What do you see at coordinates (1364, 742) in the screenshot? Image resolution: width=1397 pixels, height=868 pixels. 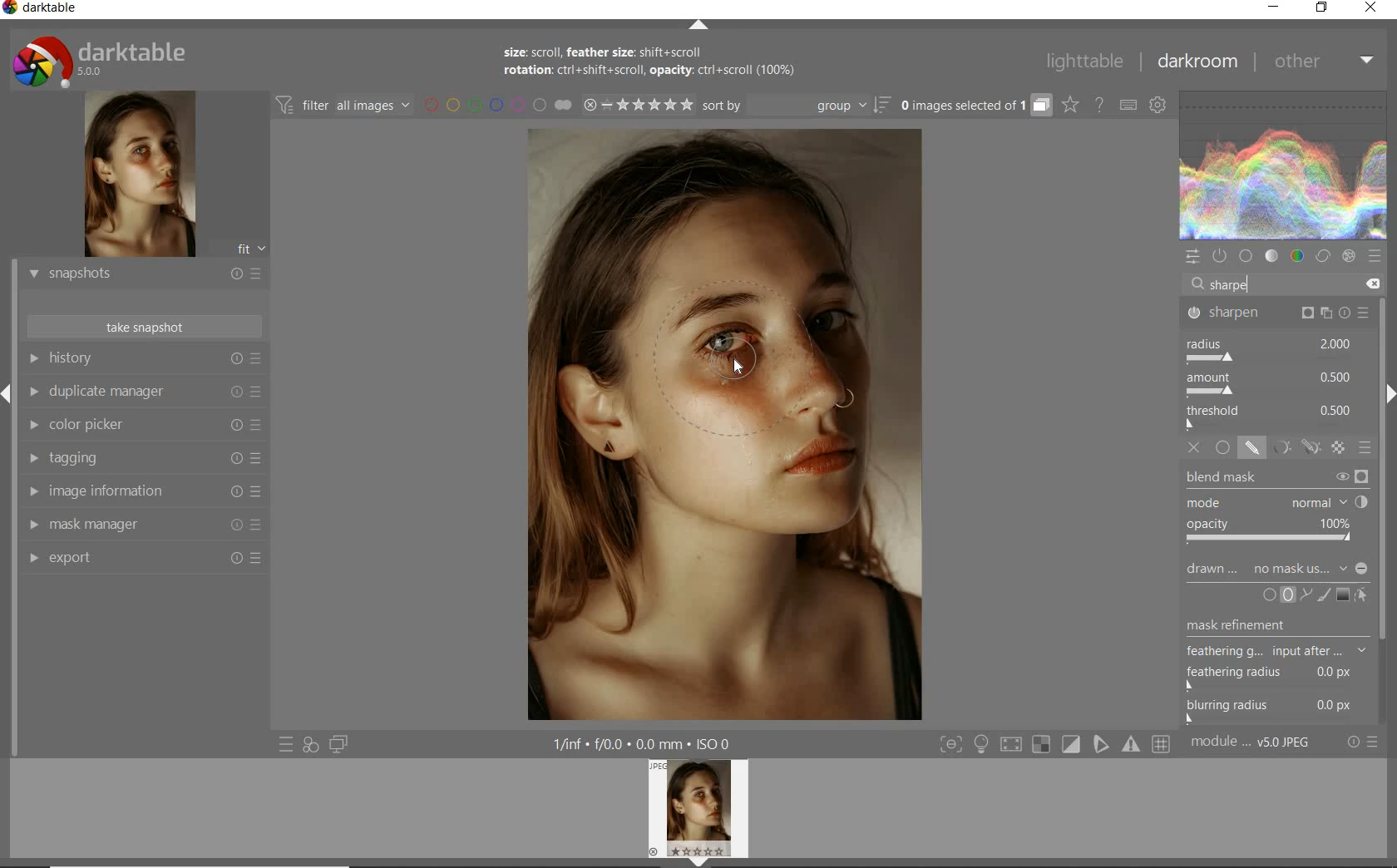 I see `reset or presets & preferences` at bounding box center [1364, 742].